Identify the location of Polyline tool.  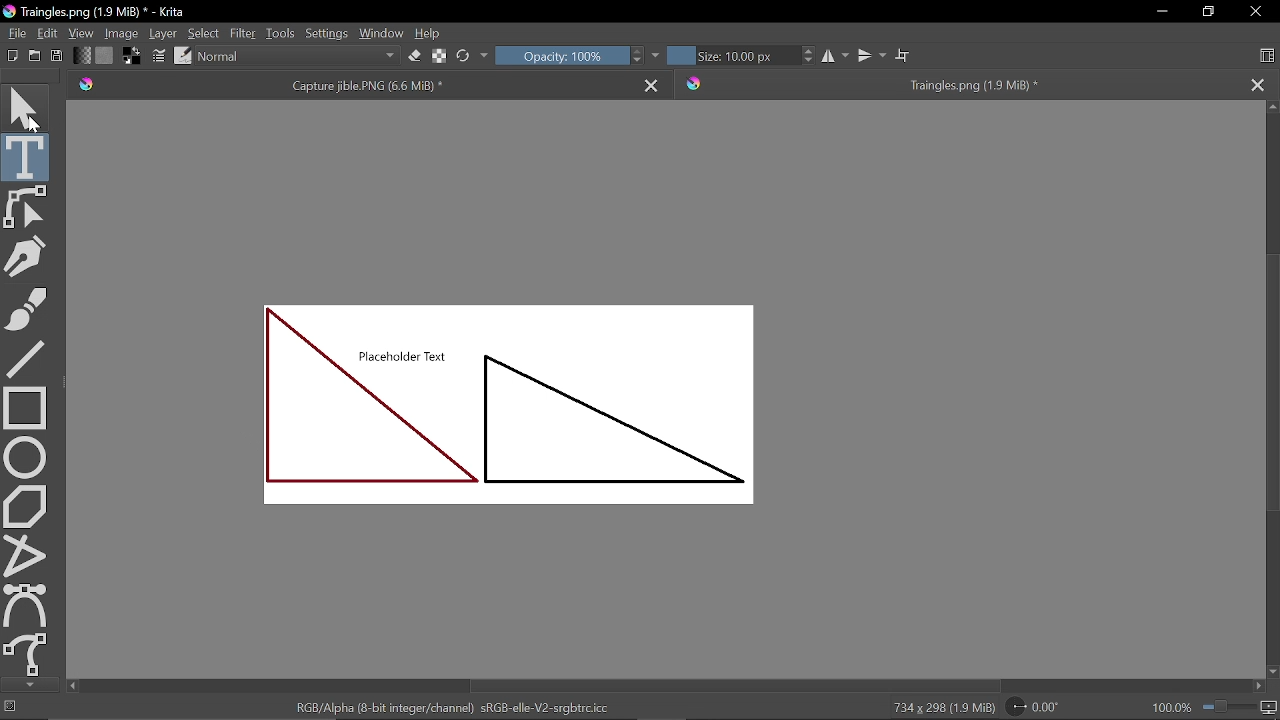
(22, 555).